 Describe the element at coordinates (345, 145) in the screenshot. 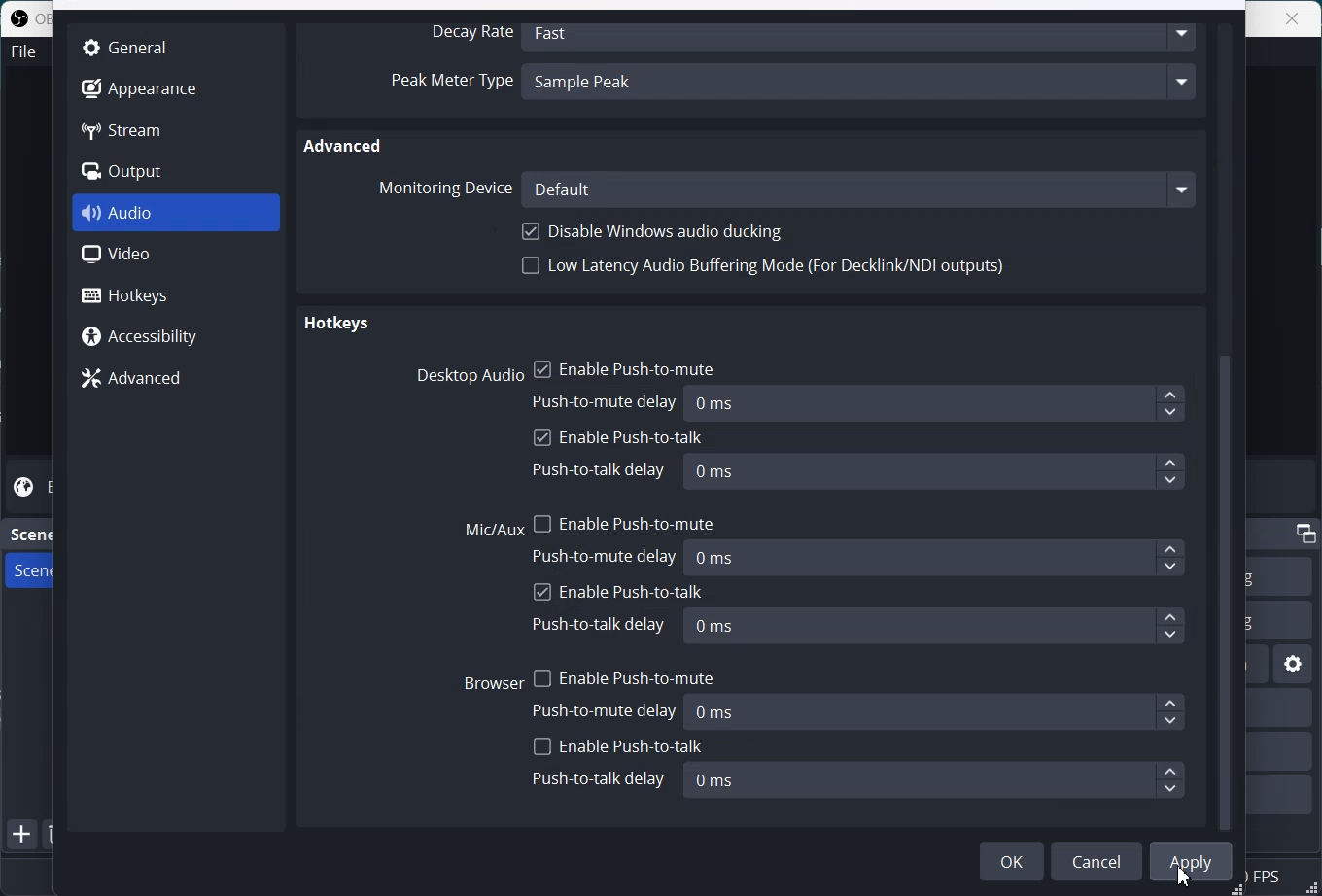

I see `Advanced` at that location.